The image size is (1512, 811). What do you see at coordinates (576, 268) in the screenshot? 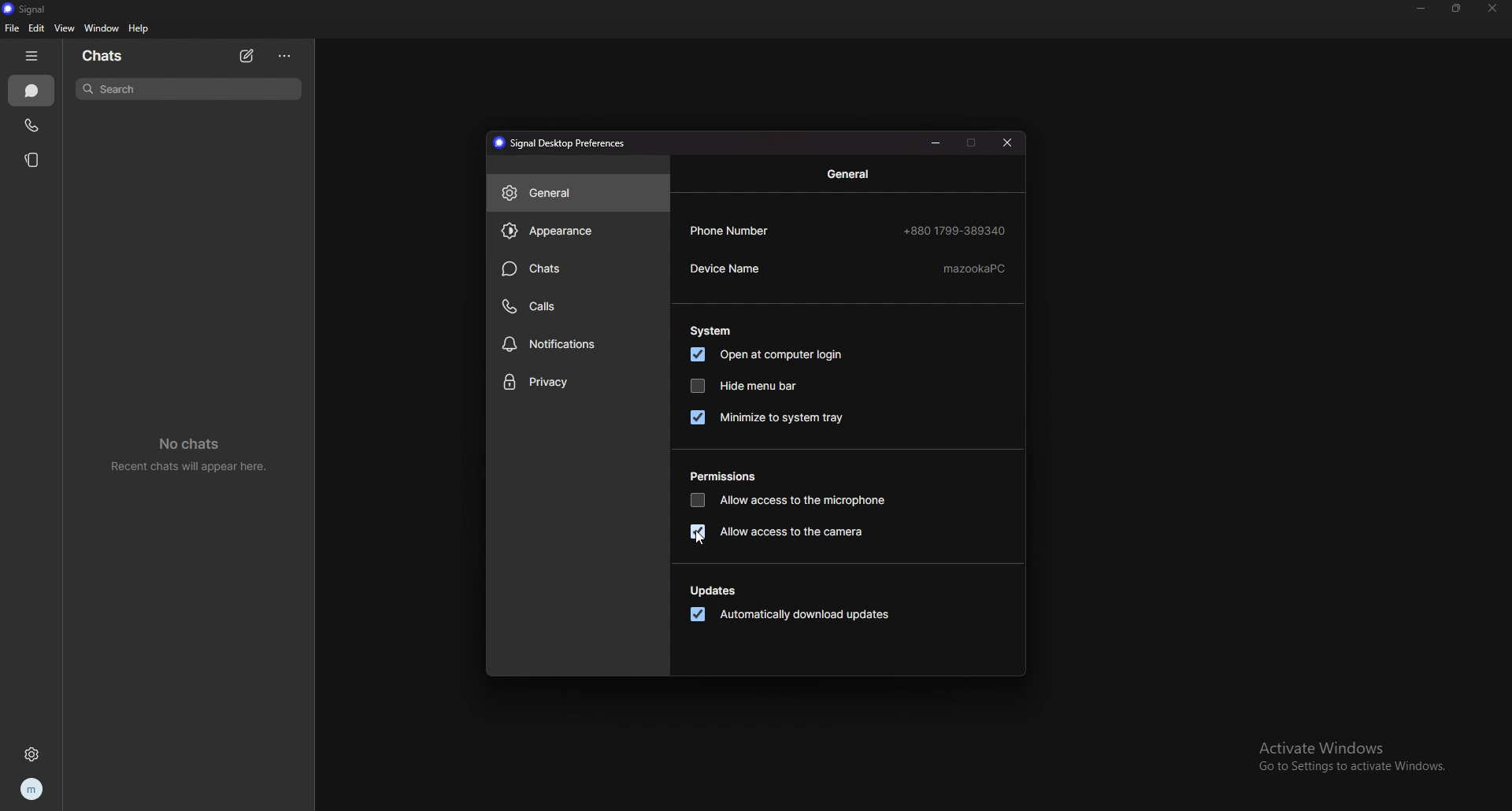
I see `chats` at bounding box center [576, 268].